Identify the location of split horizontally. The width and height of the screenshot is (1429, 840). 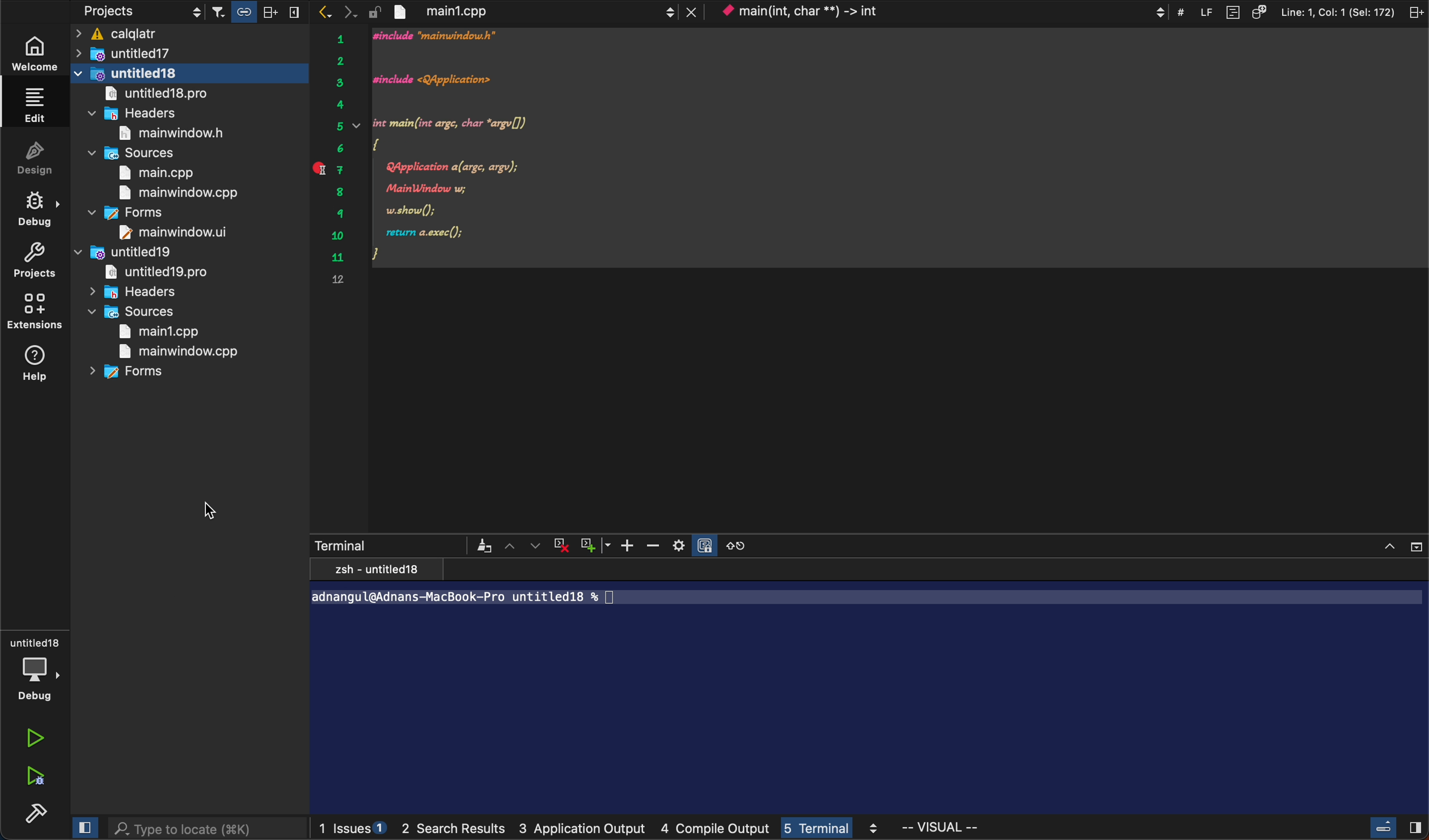
(269, 10).